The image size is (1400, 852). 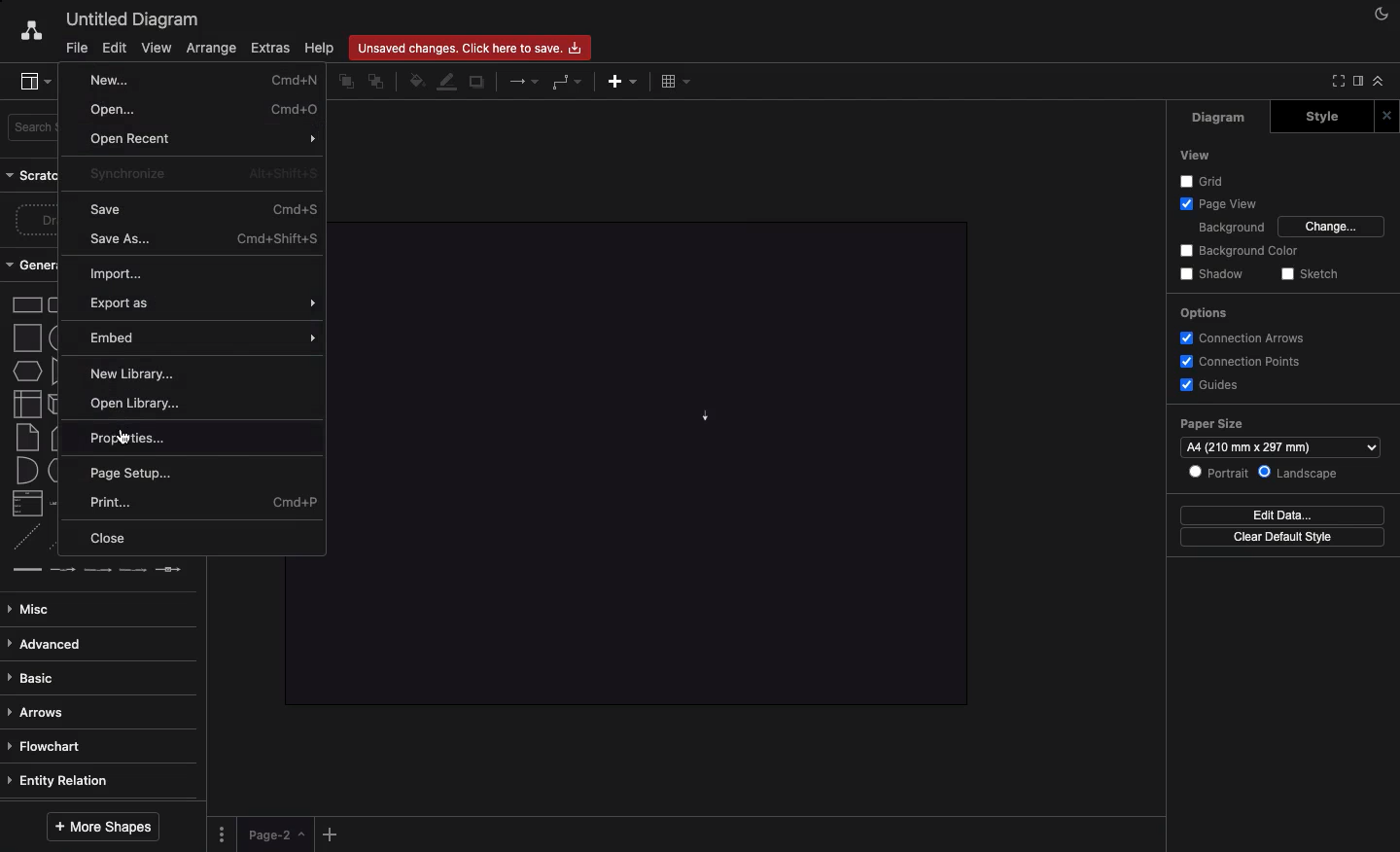 What do you see at coordinates (1277, 425) in the screenshot?
I see `Paper size` at bounding box center [1277, 425].